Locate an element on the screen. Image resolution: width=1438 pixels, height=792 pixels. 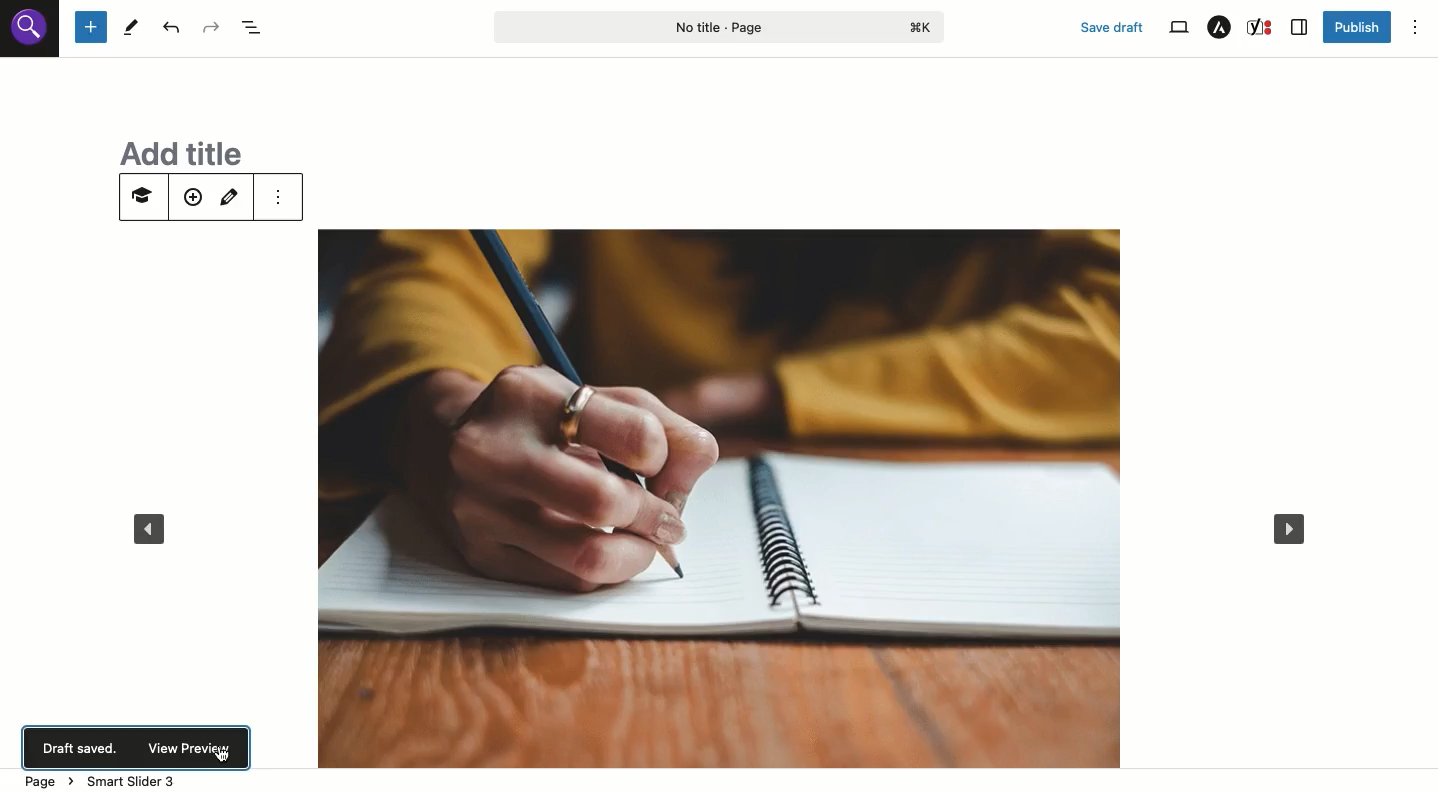
Options is located at coordinates (1415, 27).